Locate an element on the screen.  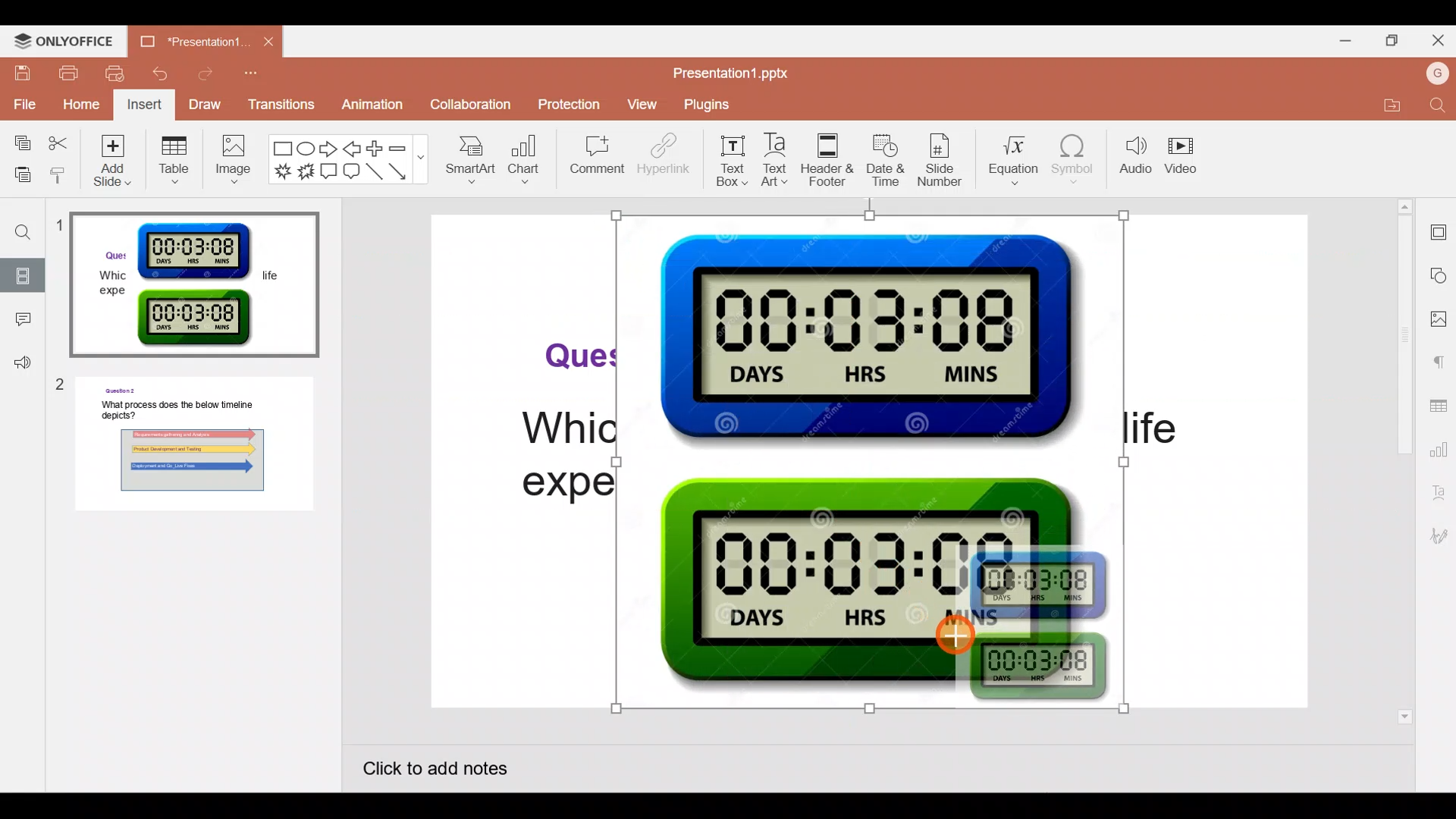
Redo is located at coordinates (215, 71).